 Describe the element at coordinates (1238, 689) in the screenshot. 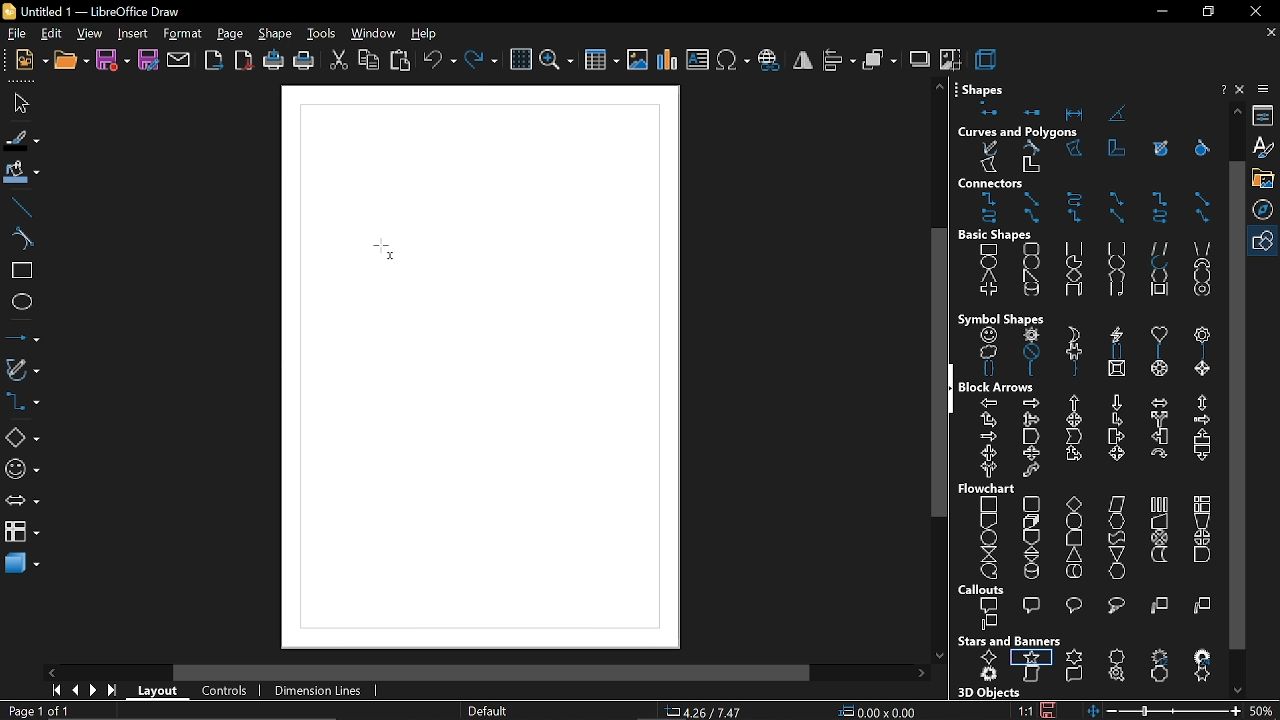

I see `move down` at that location.